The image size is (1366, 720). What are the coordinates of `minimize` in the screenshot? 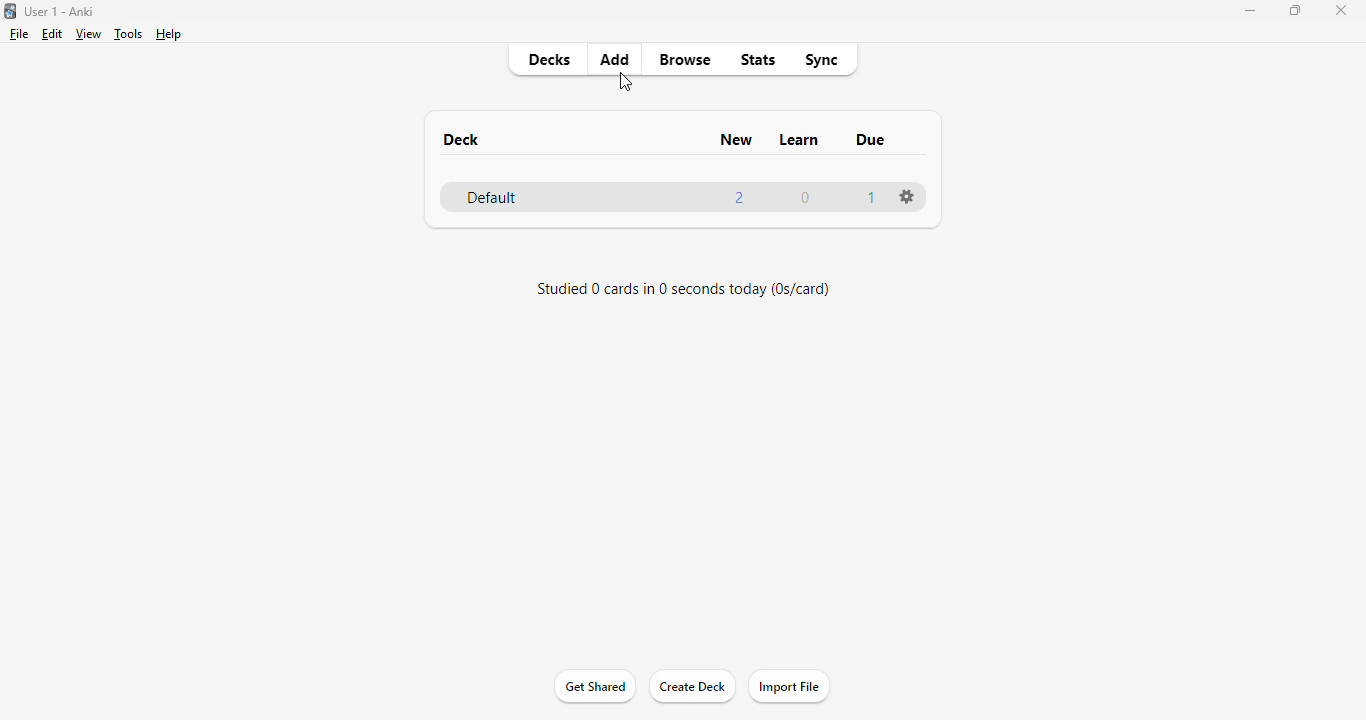 It's located at (1250, 11).